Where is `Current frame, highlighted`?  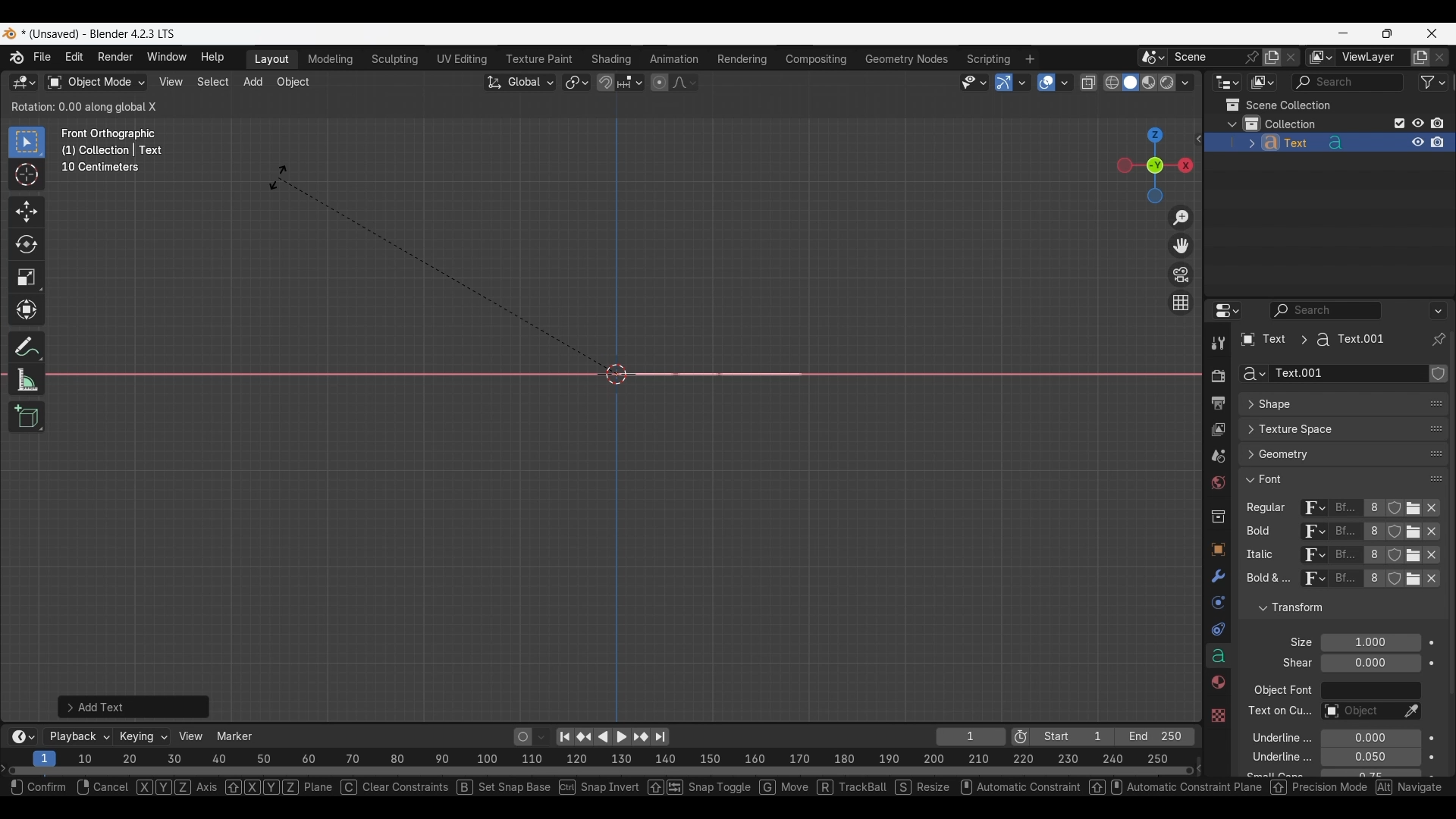
Current frame, highlighted is located at coordinates (45, 756).